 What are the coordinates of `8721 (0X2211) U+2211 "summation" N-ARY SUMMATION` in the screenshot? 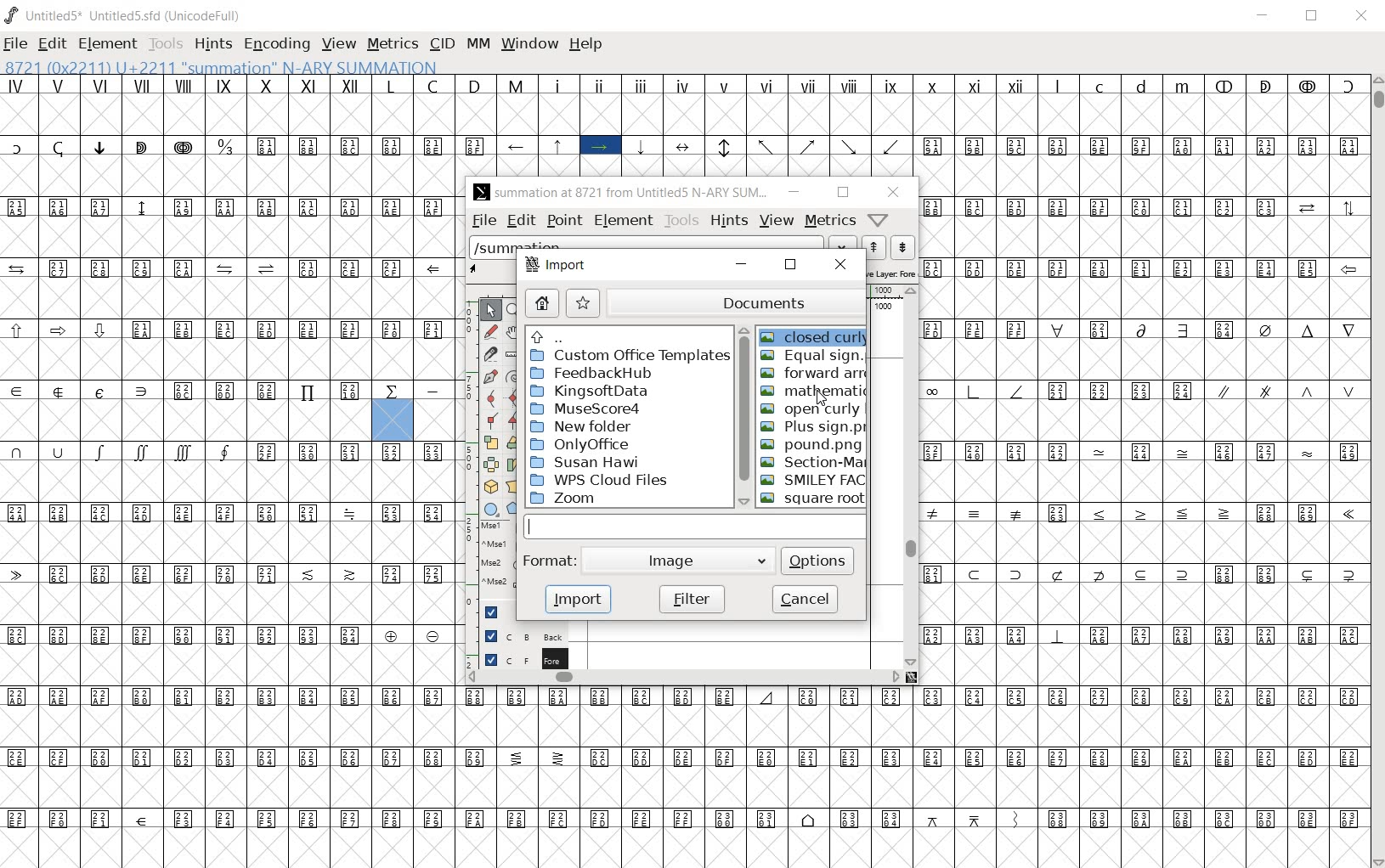 It's located at (221, 66).